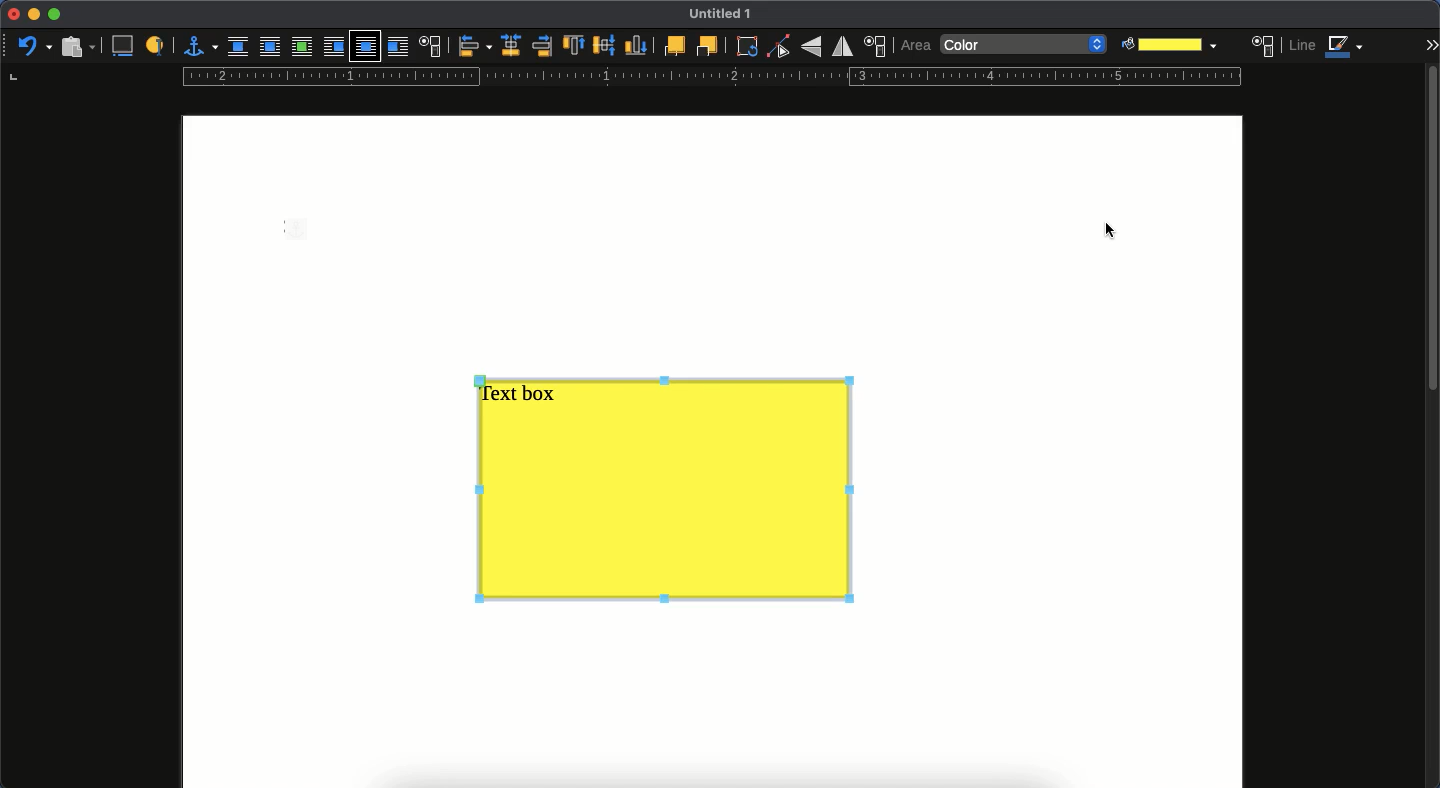  I want to click on maximize, so click(56, 15).